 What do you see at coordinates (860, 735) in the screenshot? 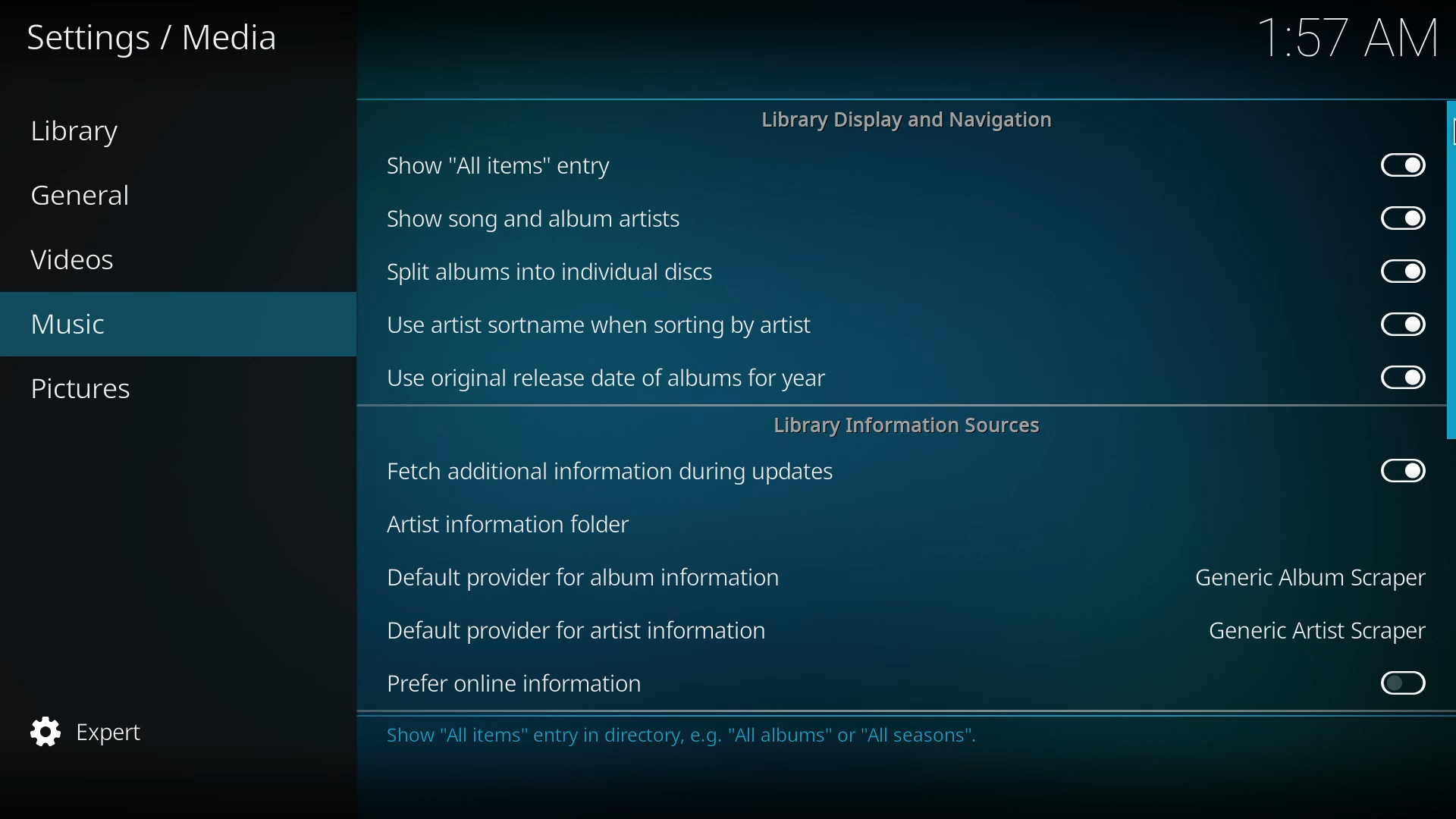
I see `info` at bounding box center [860, 735].